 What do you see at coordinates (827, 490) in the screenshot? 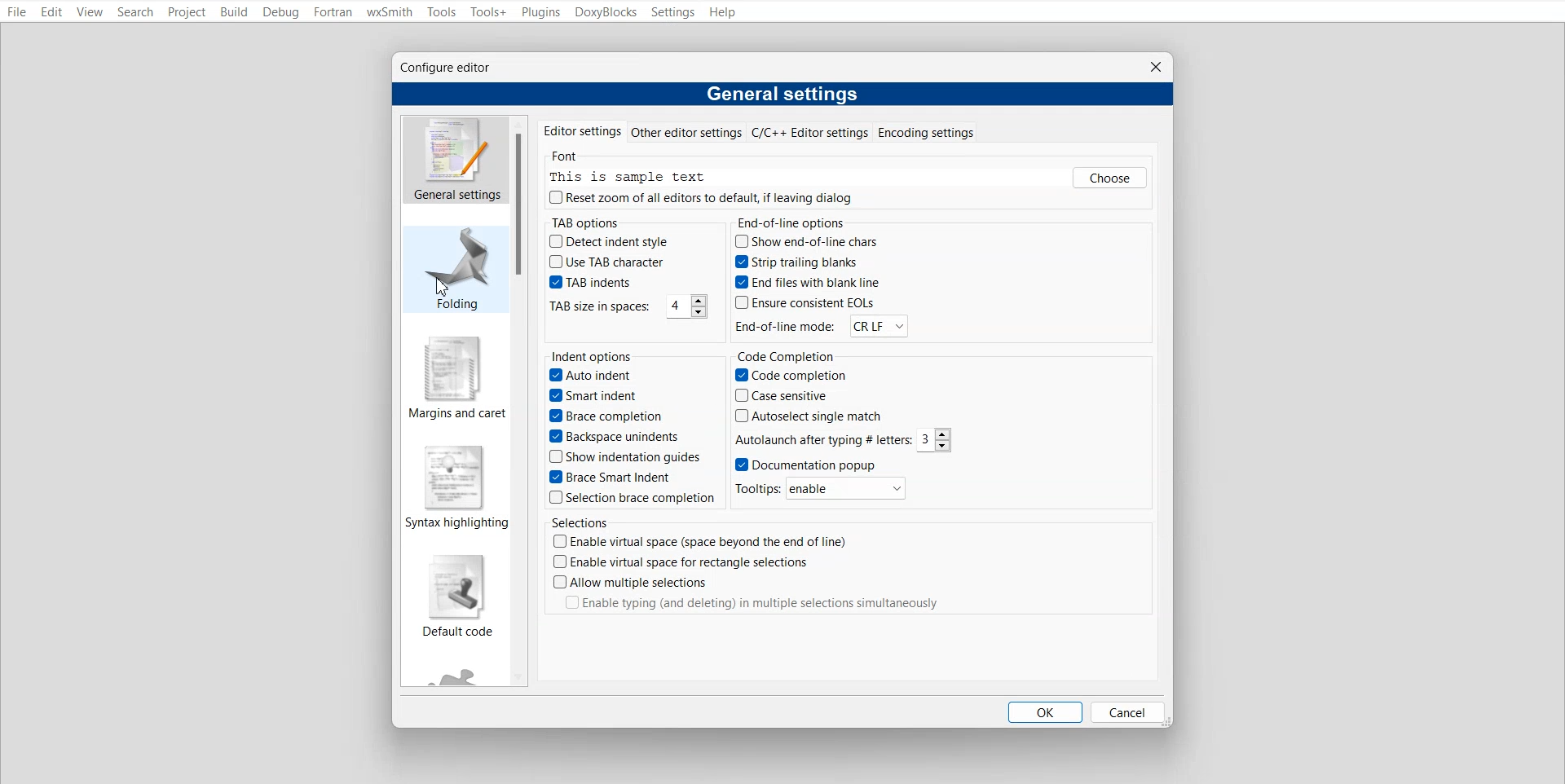
I see `Tooltips: enable ` at bounding box center [827, 490].